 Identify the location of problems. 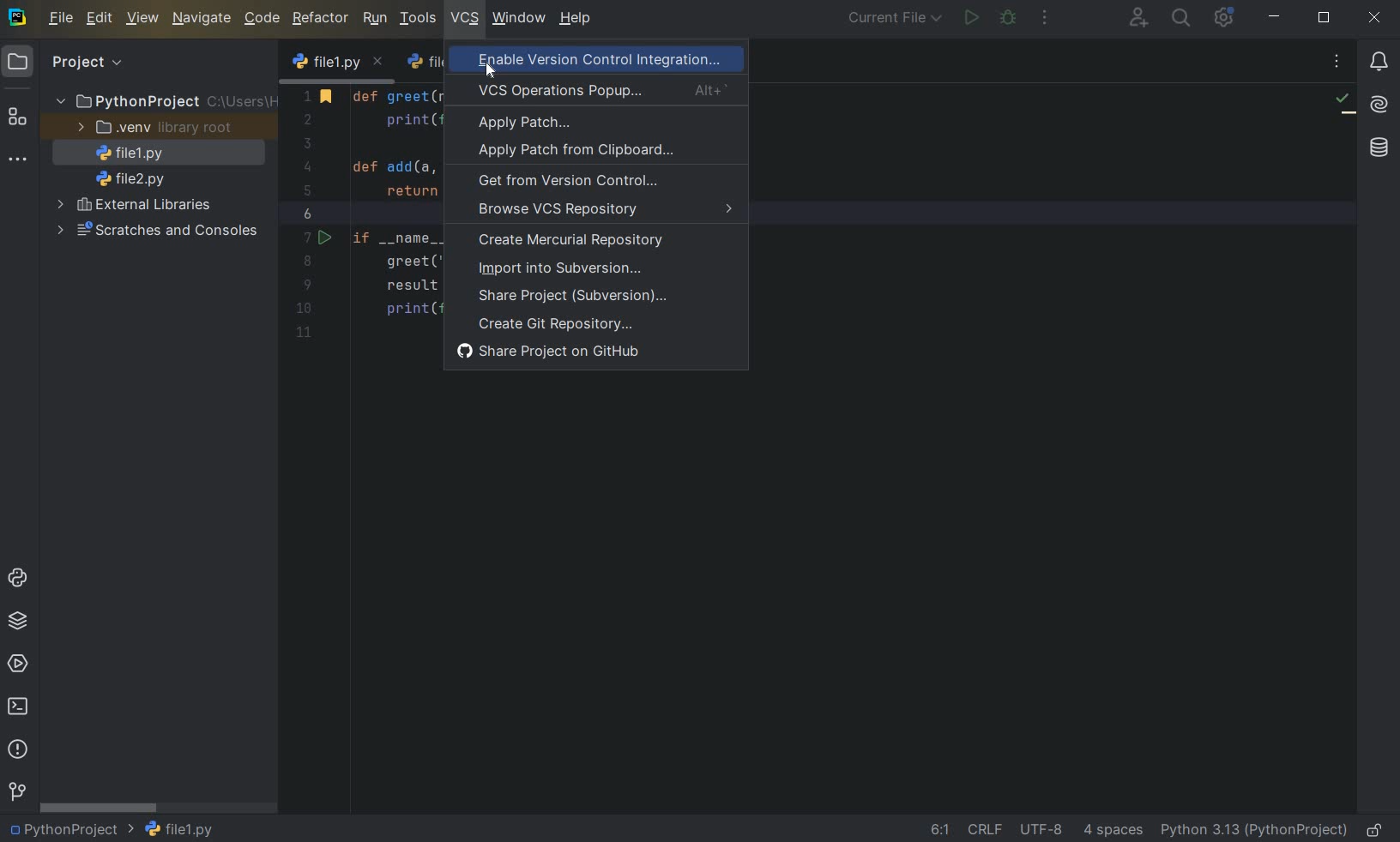
(18, 749).